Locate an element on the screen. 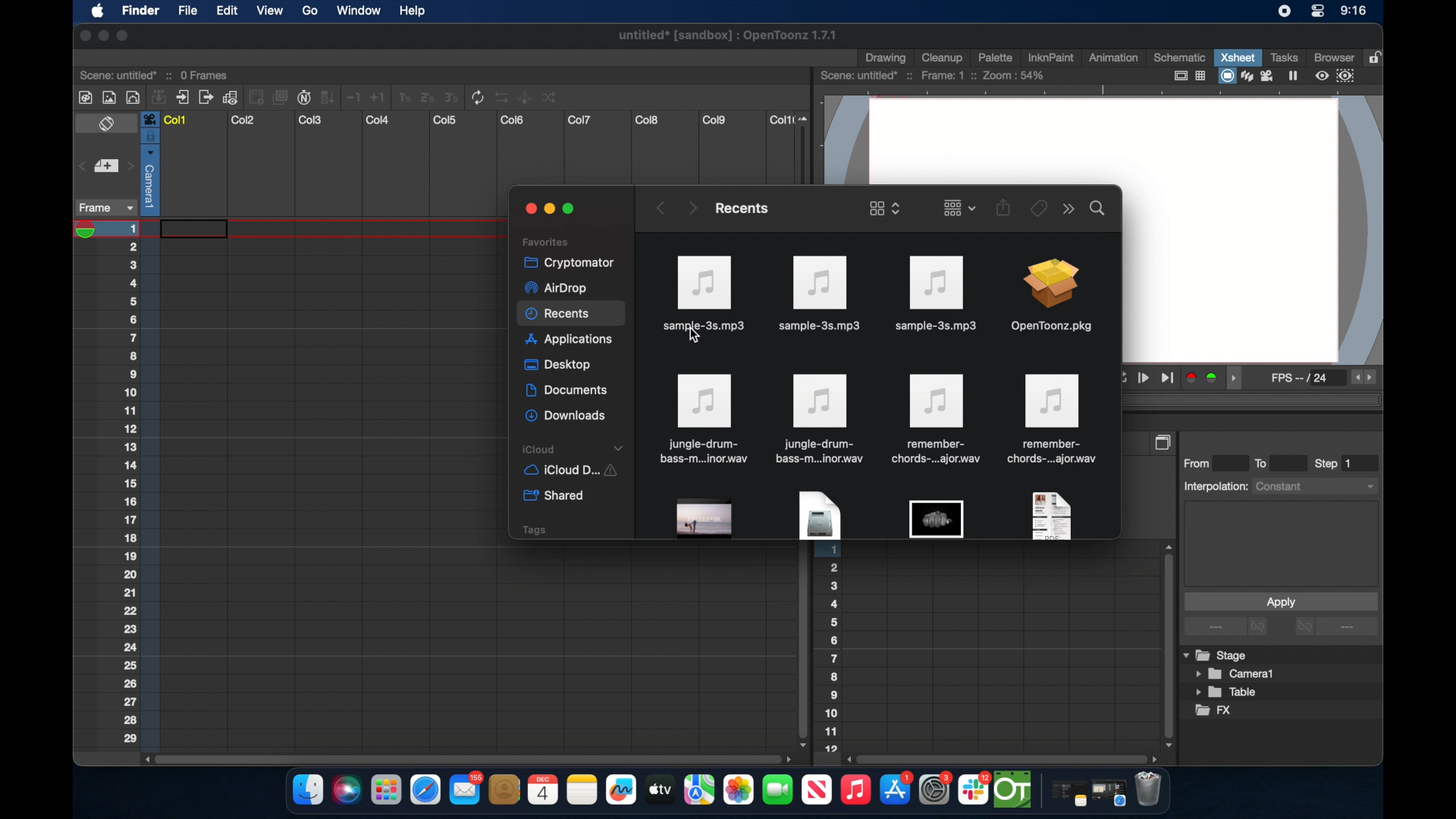  guide options is located at coordinates (1188, 76).